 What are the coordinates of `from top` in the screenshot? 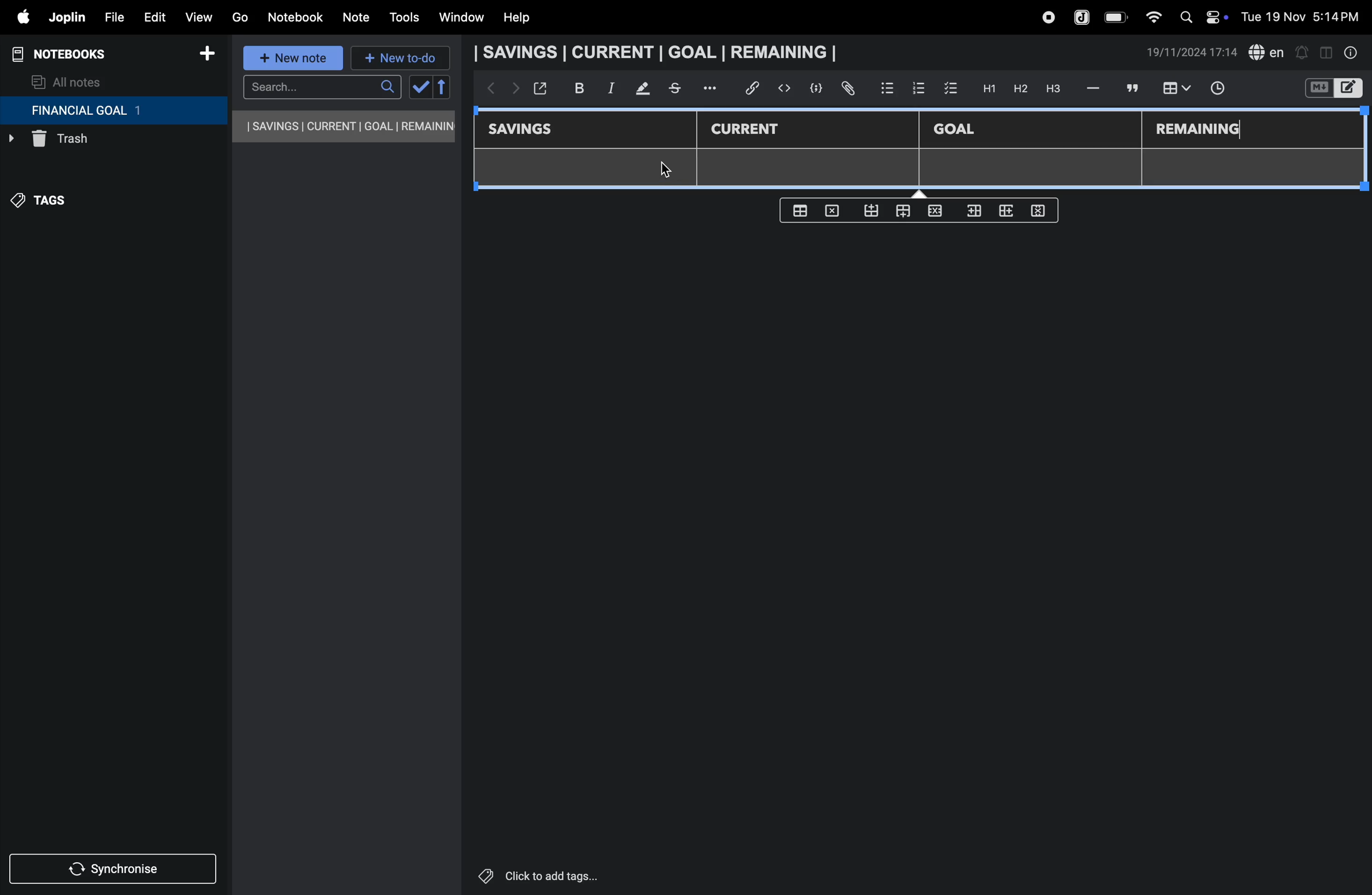 It's located at (900, 212).